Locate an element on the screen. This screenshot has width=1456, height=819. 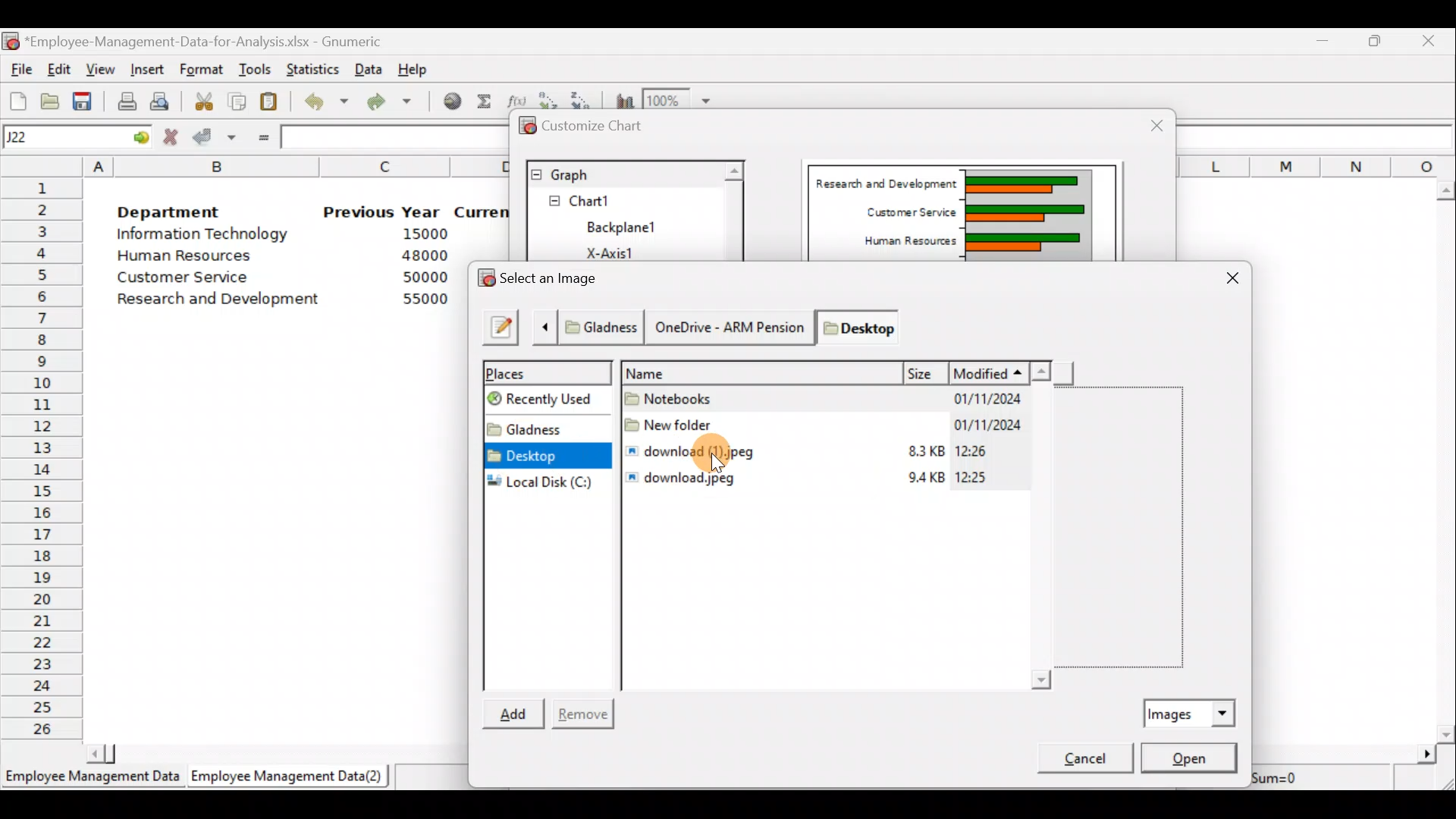
Chart1 is located at coordinates (604, 201).